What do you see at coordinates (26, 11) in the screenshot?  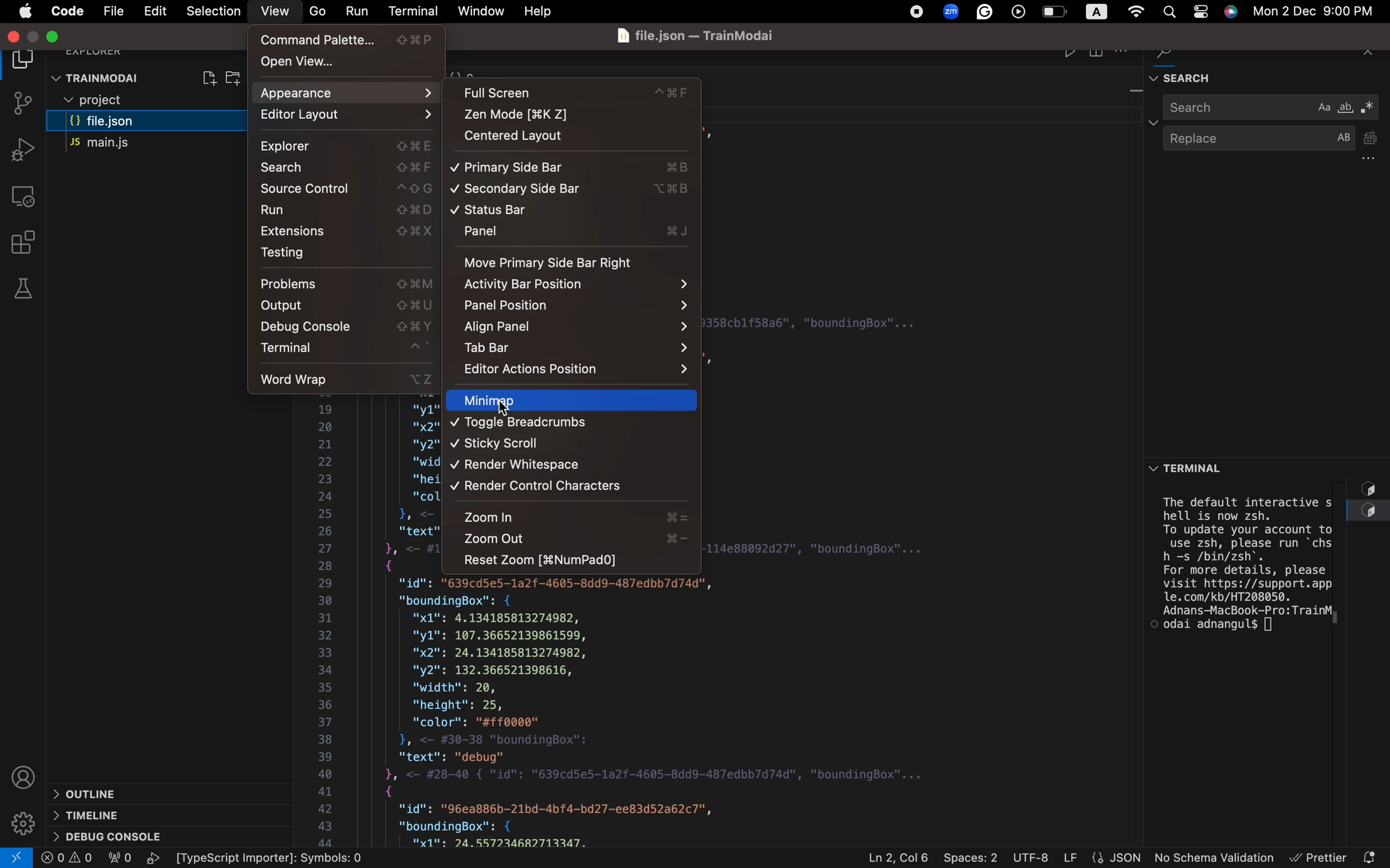 I see `` at bounding box center [26, 11].